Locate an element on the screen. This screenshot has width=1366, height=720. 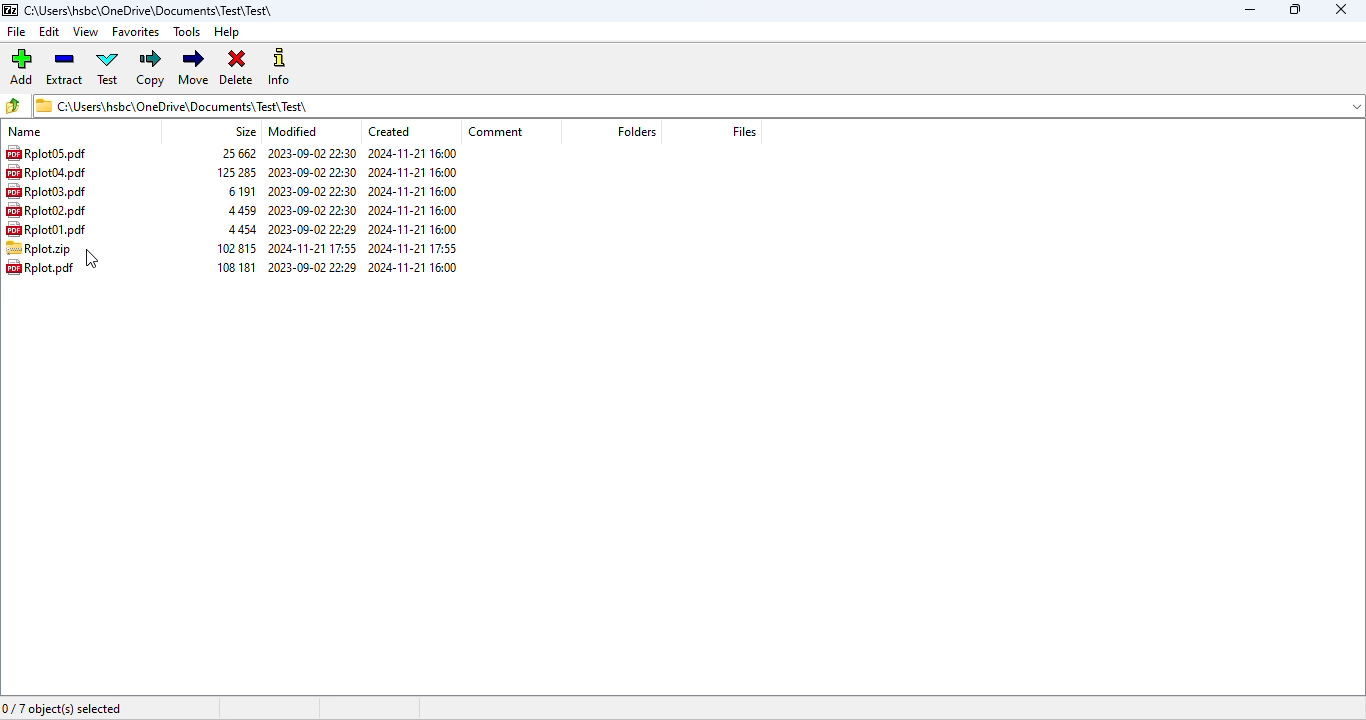
tools is located at coordinates (188, 31).